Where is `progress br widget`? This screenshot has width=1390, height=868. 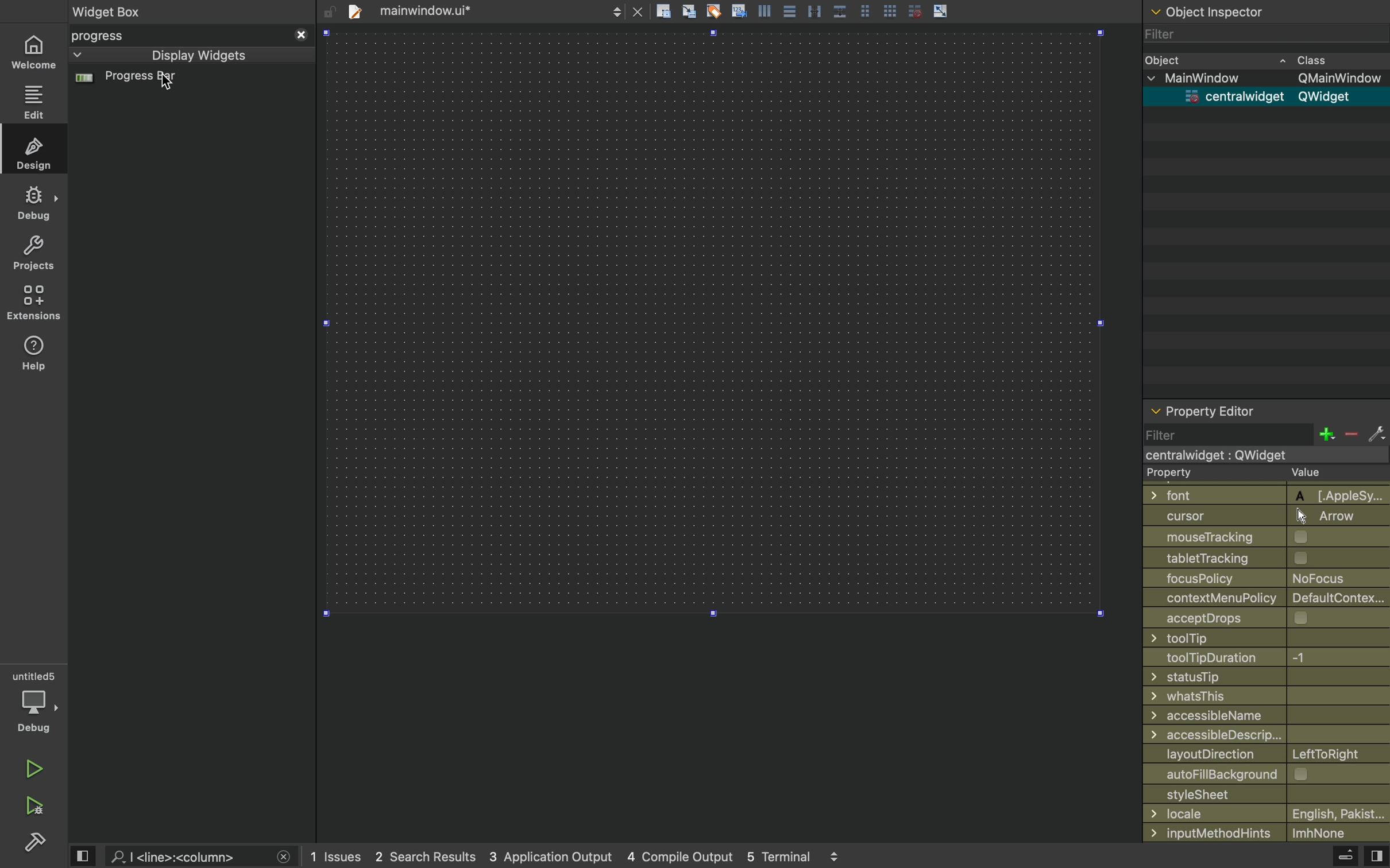
progress br widget is located at coordinates (188, 83).